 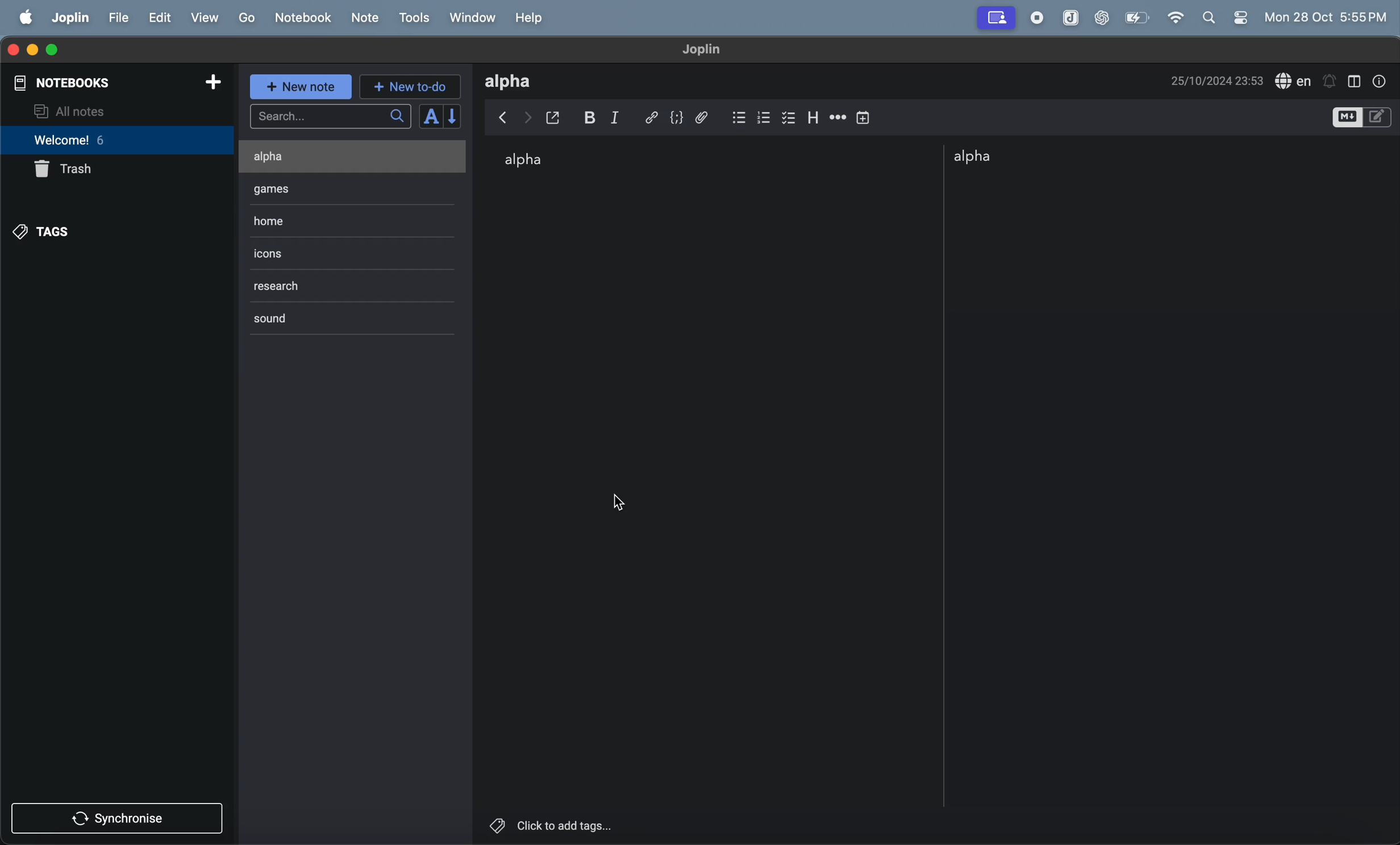 What do you see at coordinates (206, 18) in the screenshot?
I see `view` at bounding box center [206, 18].